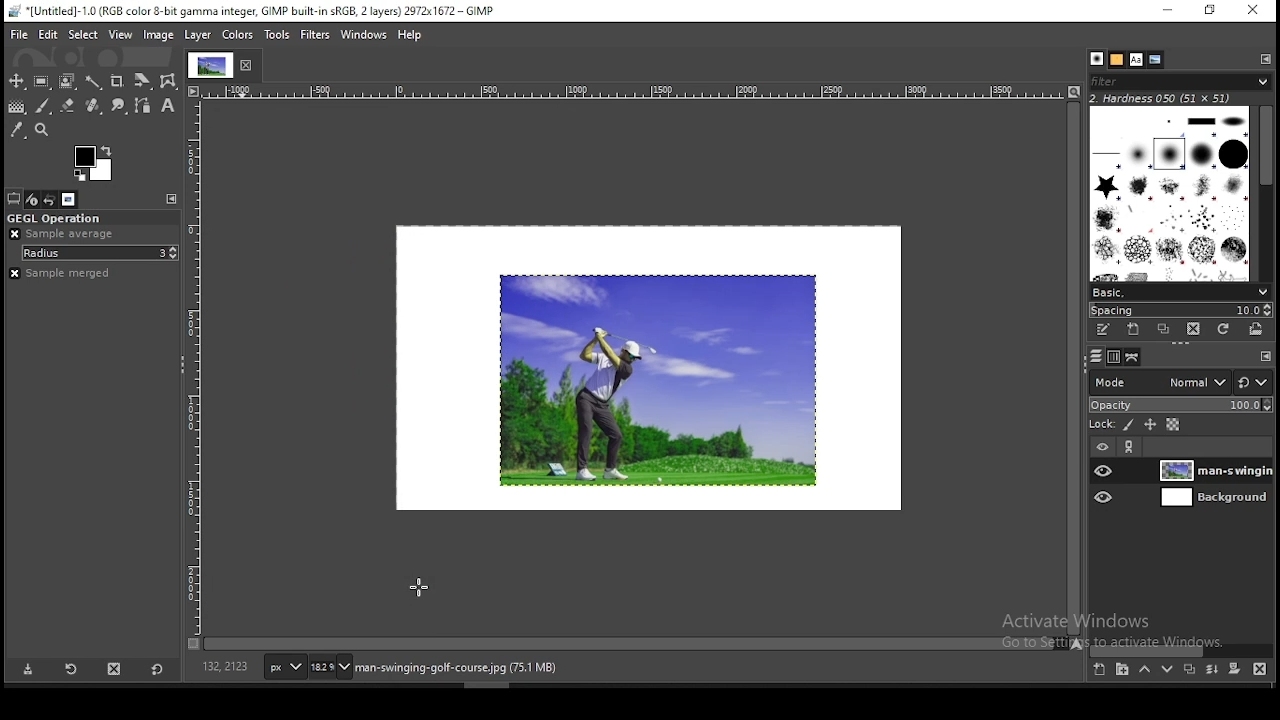  I want to click on images, so click(68, 200).